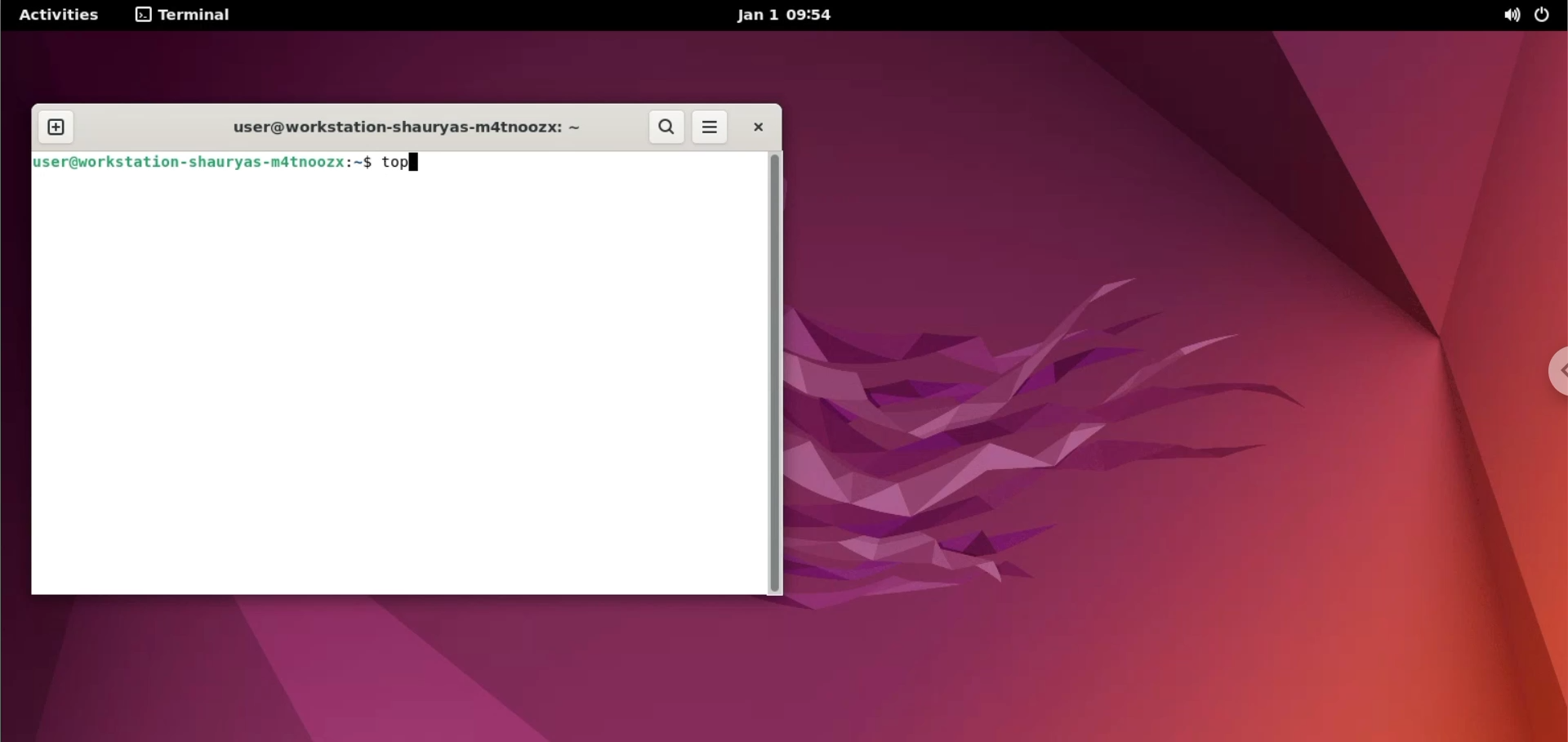 The width and height of the screenshot is (1568, 742). Describe the element at coordinates (777, 374) in the screenshot. I see `scrollbar` at that location.